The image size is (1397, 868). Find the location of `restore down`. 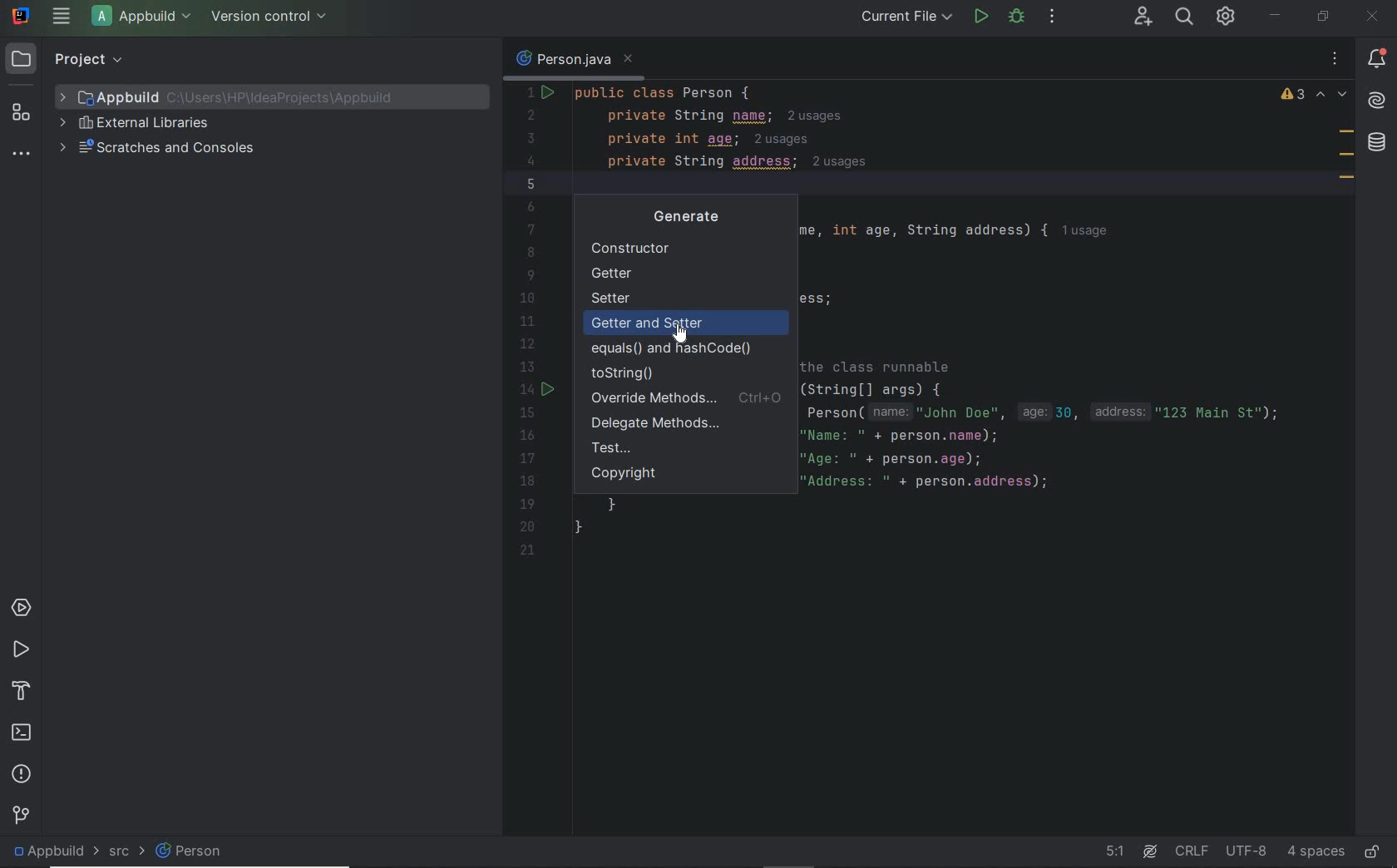

restore down is located at coordinates (1322, 16).